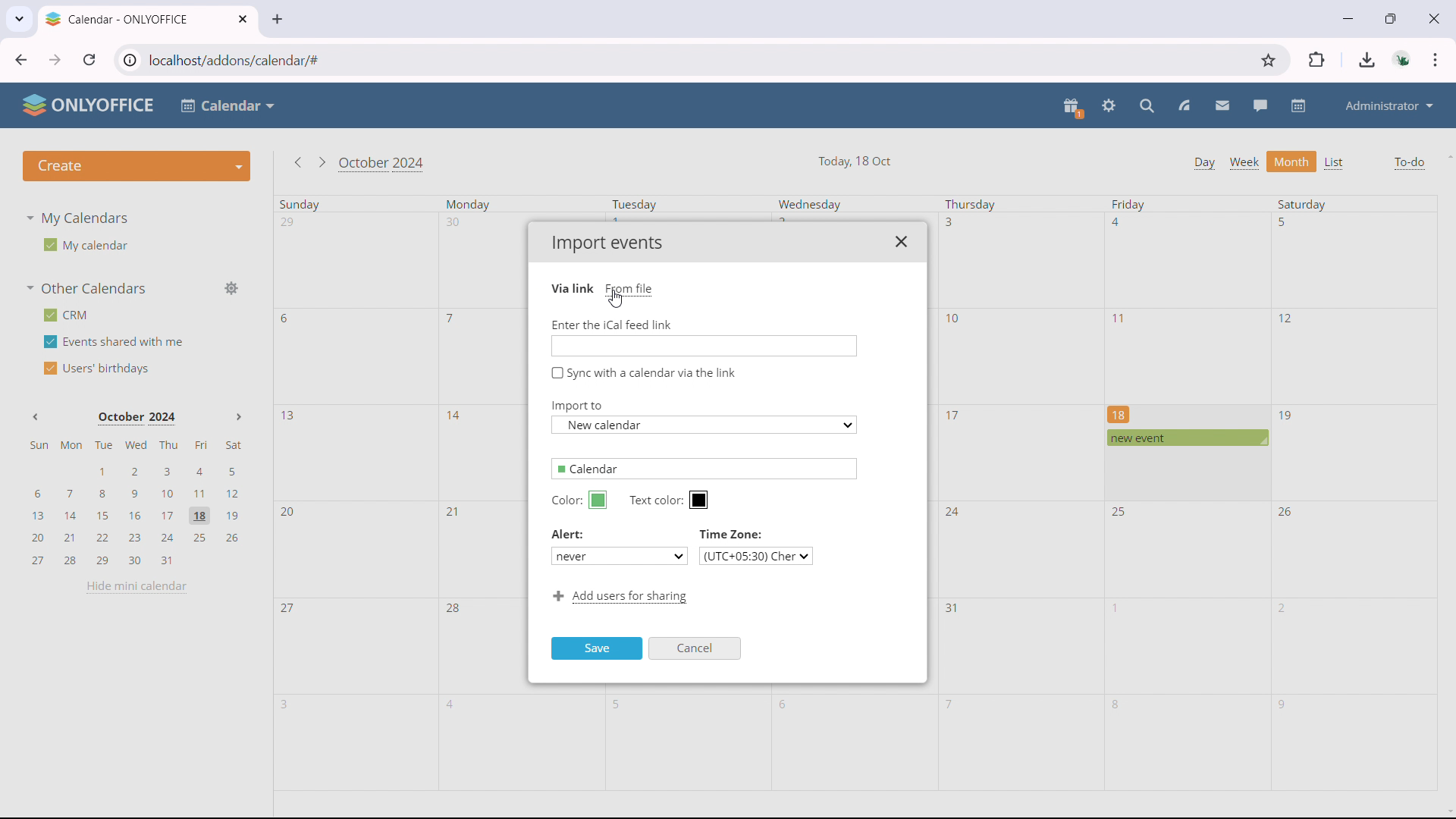 Image resolution: width=1456 pixels, height=819 pixels. I want to click on localhost/addons/calendar/#, so click(247, 60).